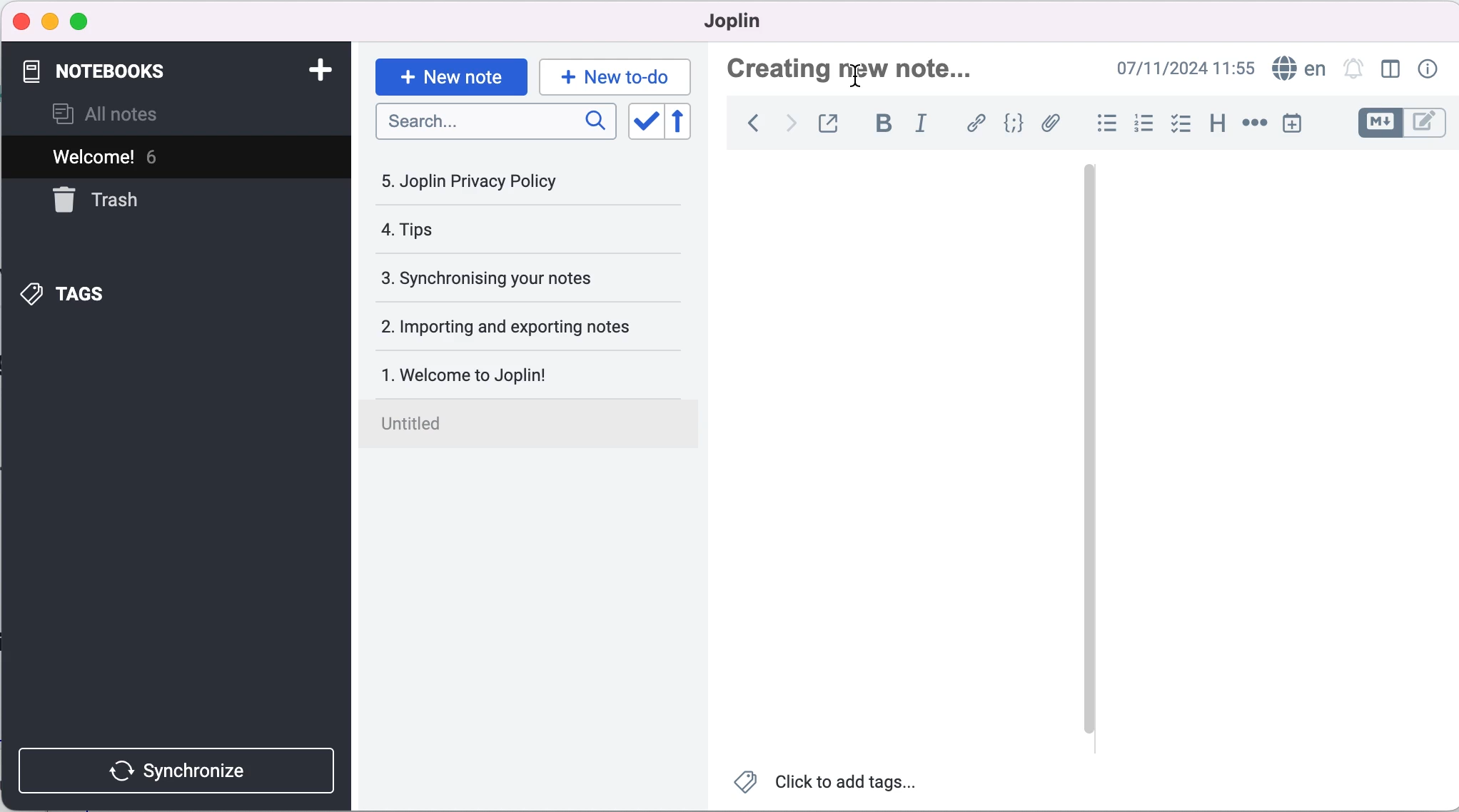 The image size is (1459, 812). I want to click on minimize, so click(49, 22).